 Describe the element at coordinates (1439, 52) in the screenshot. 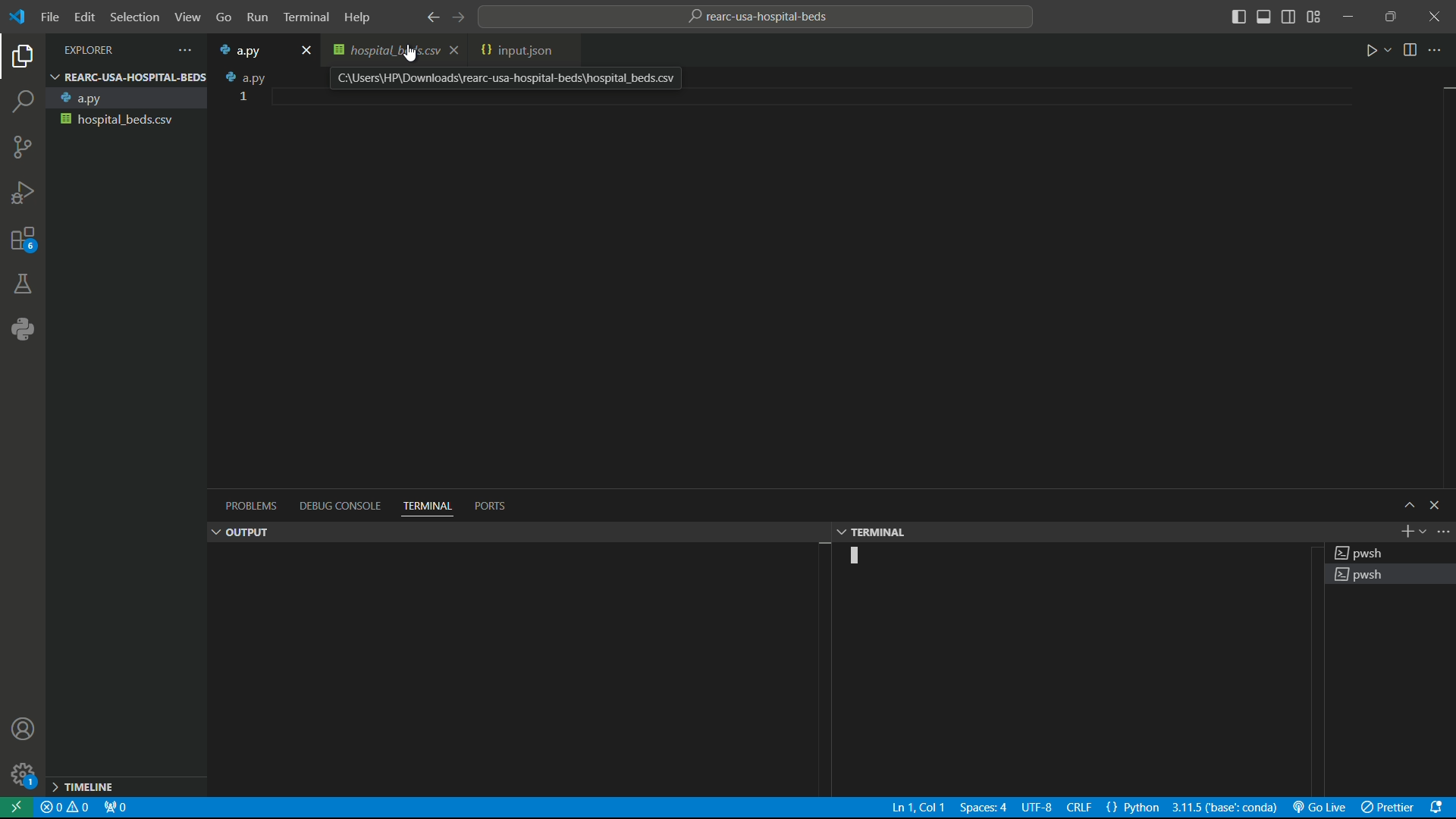

I see `more actions` at that location.